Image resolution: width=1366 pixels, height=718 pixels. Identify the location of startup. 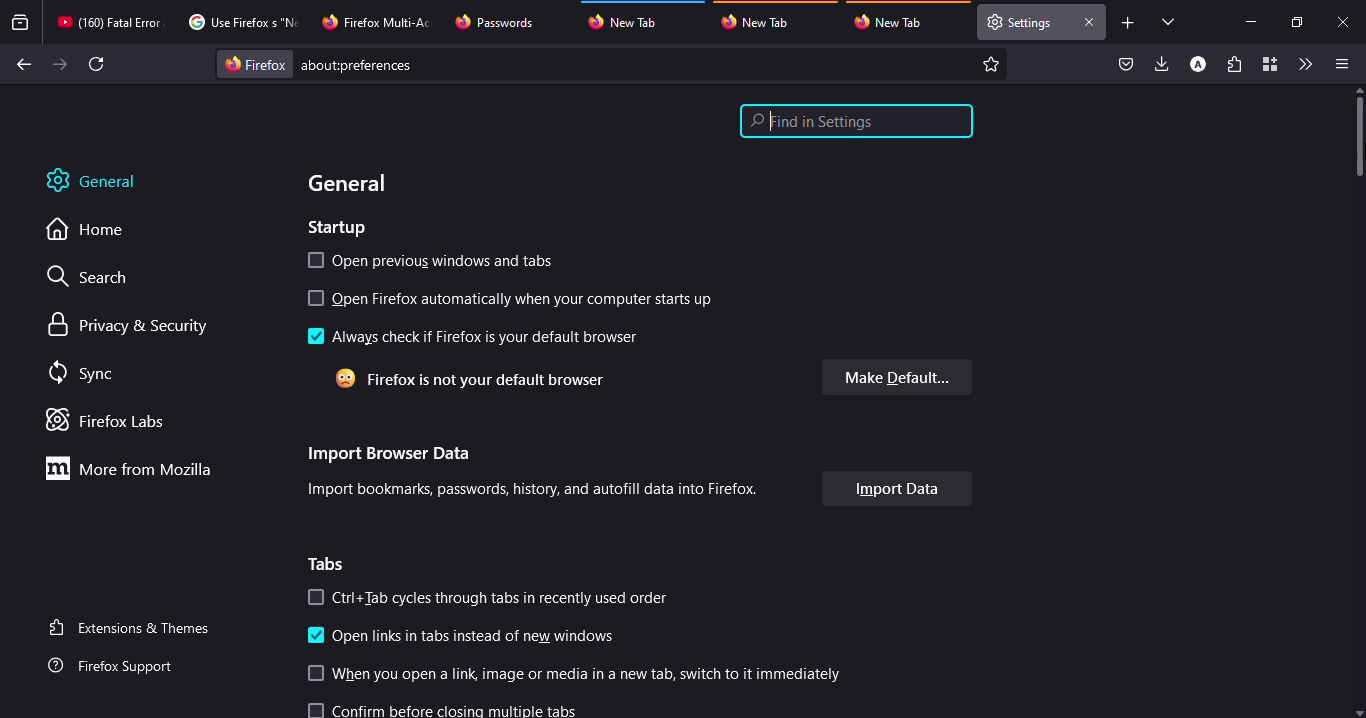
(342, 228).